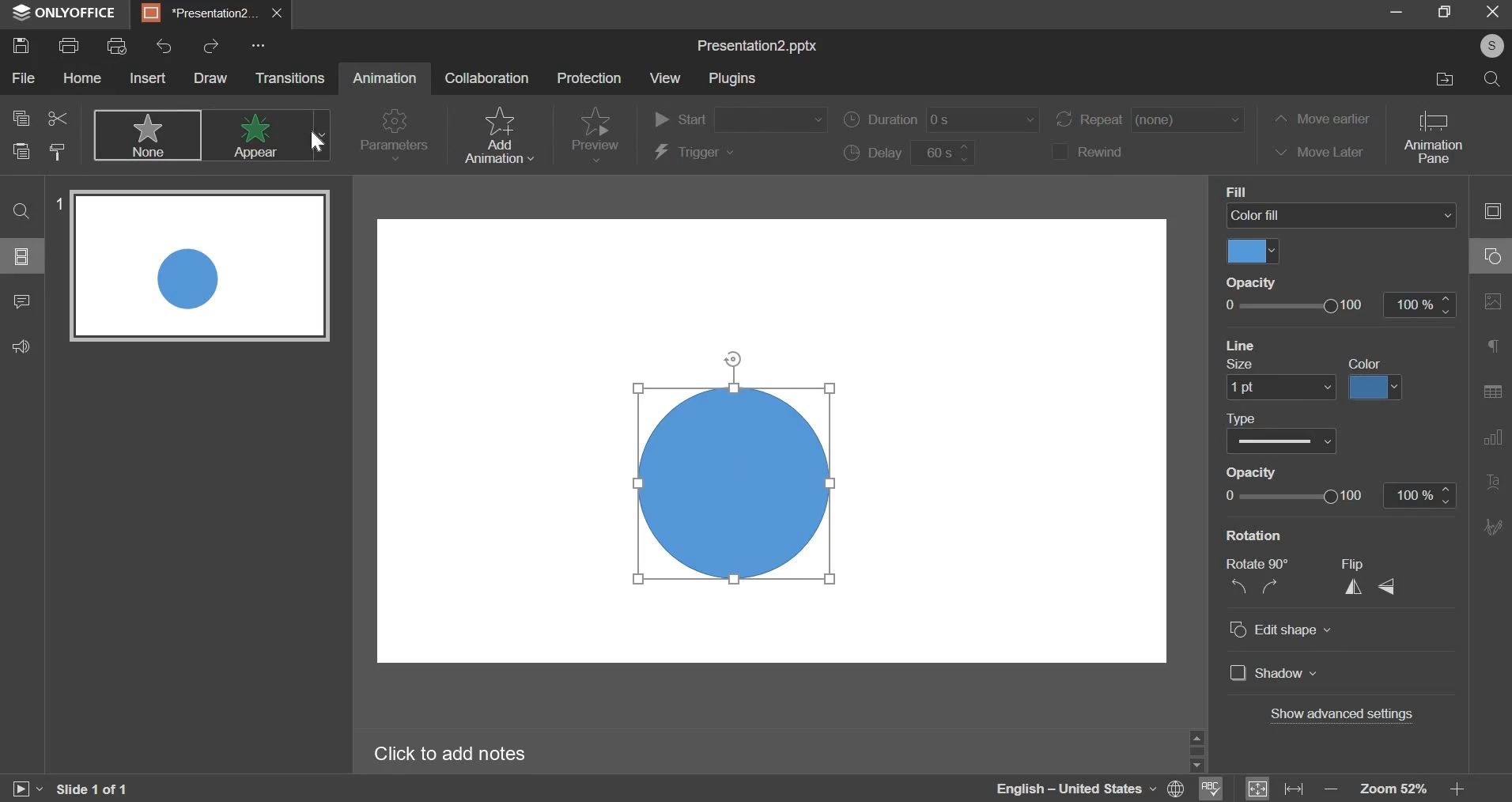  I want to click on edit shape, so click(1279, 630).